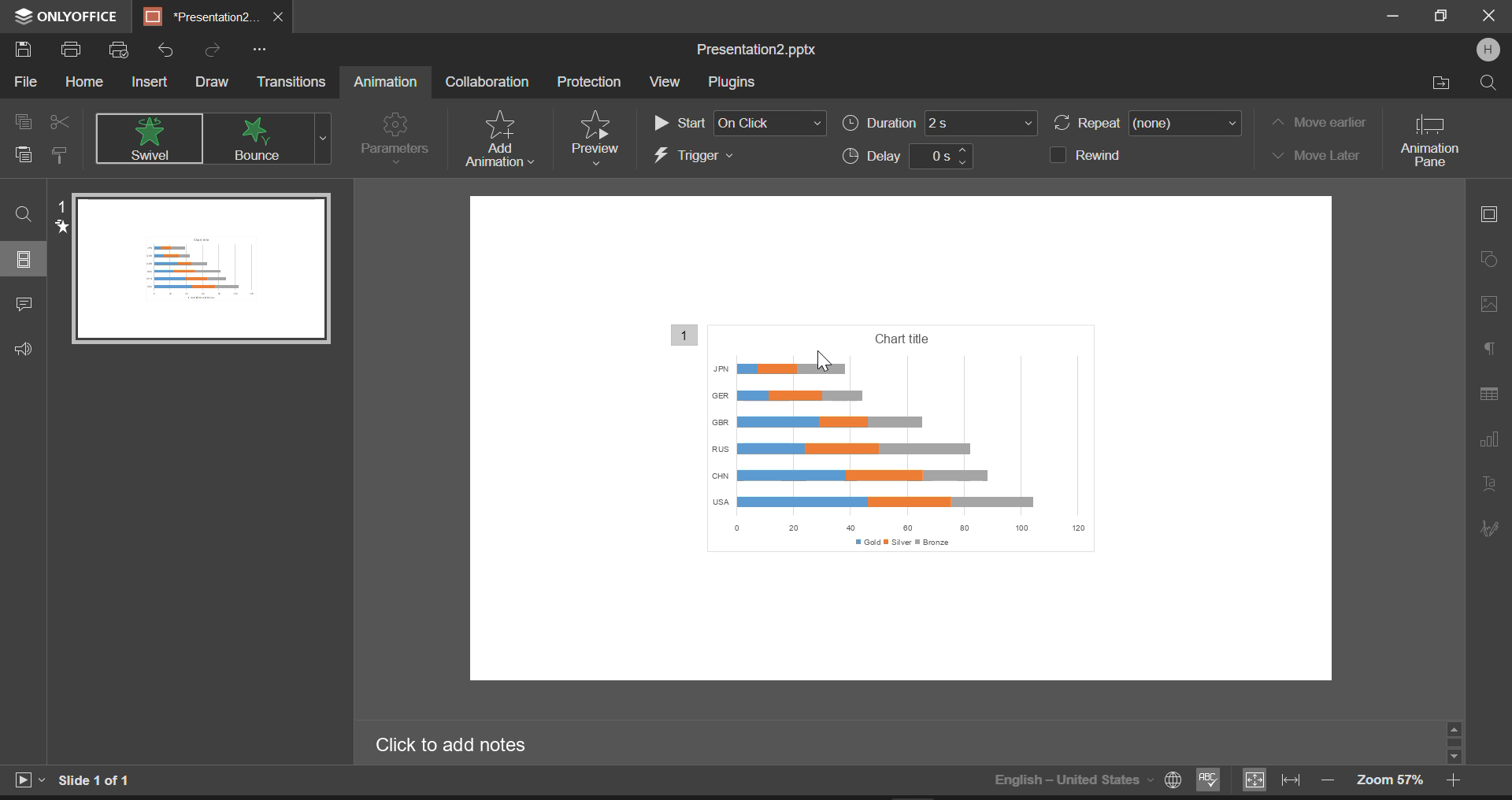  Describe the element at coordinates (1488, 439) in the screenshot. I see `Chart Settings` at that location.